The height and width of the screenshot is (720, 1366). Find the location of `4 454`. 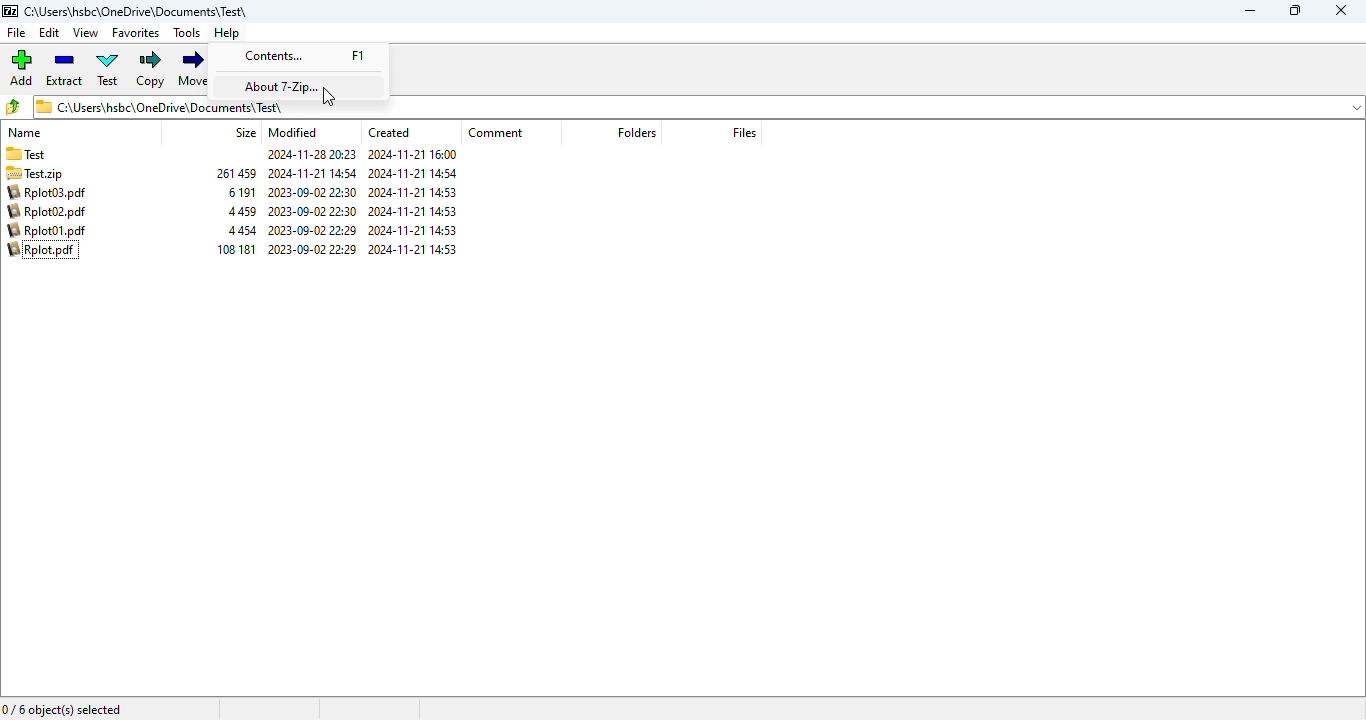

4 454 is located at coordinates (245, 231).